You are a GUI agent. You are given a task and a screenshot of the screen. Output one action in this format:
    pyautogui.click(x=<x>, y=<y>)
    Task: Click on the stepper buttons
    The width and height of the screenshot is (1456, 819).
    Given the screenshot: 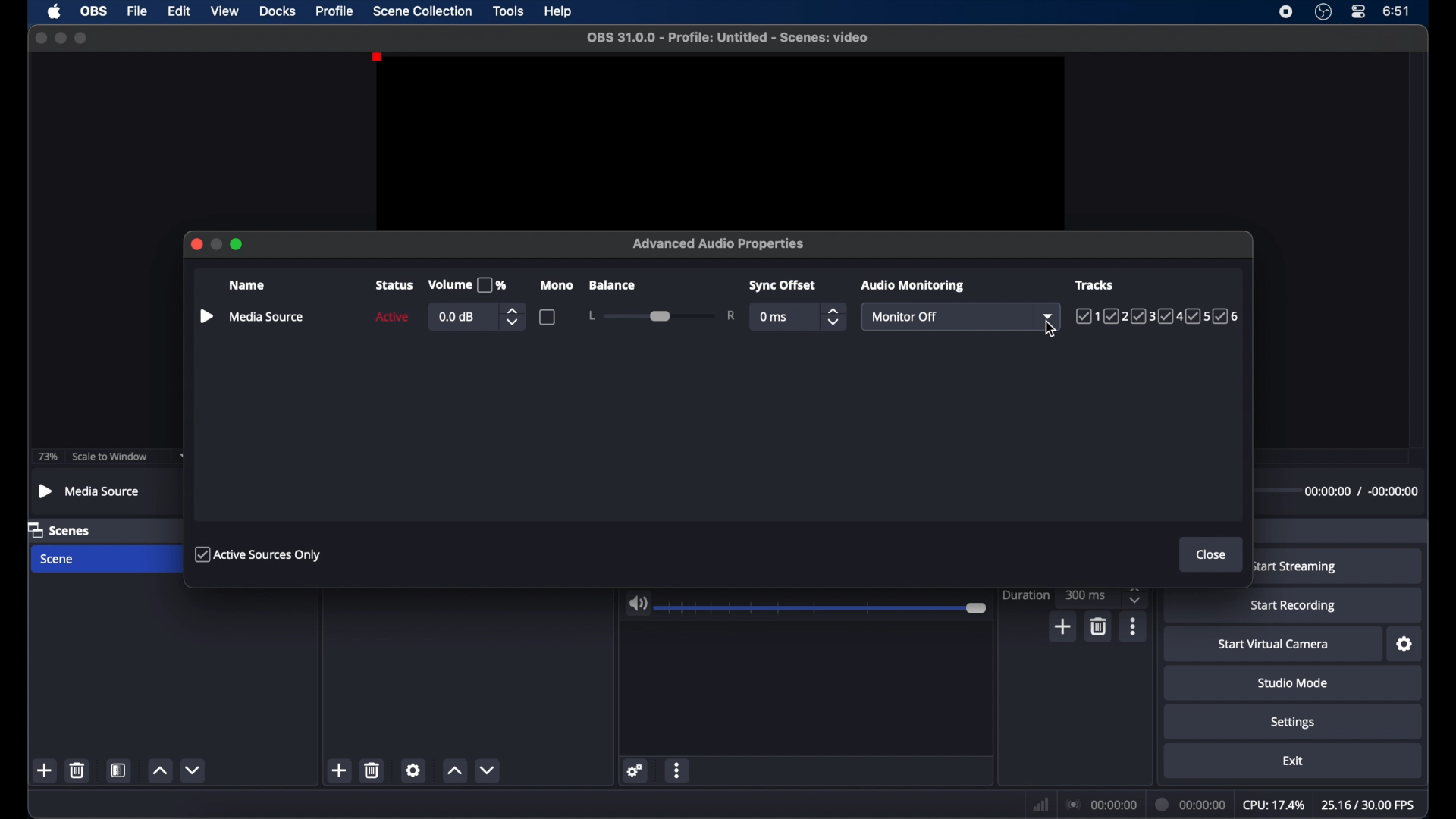 What is the action you would take?
    pyautogui.click(x=513, y=317)
    